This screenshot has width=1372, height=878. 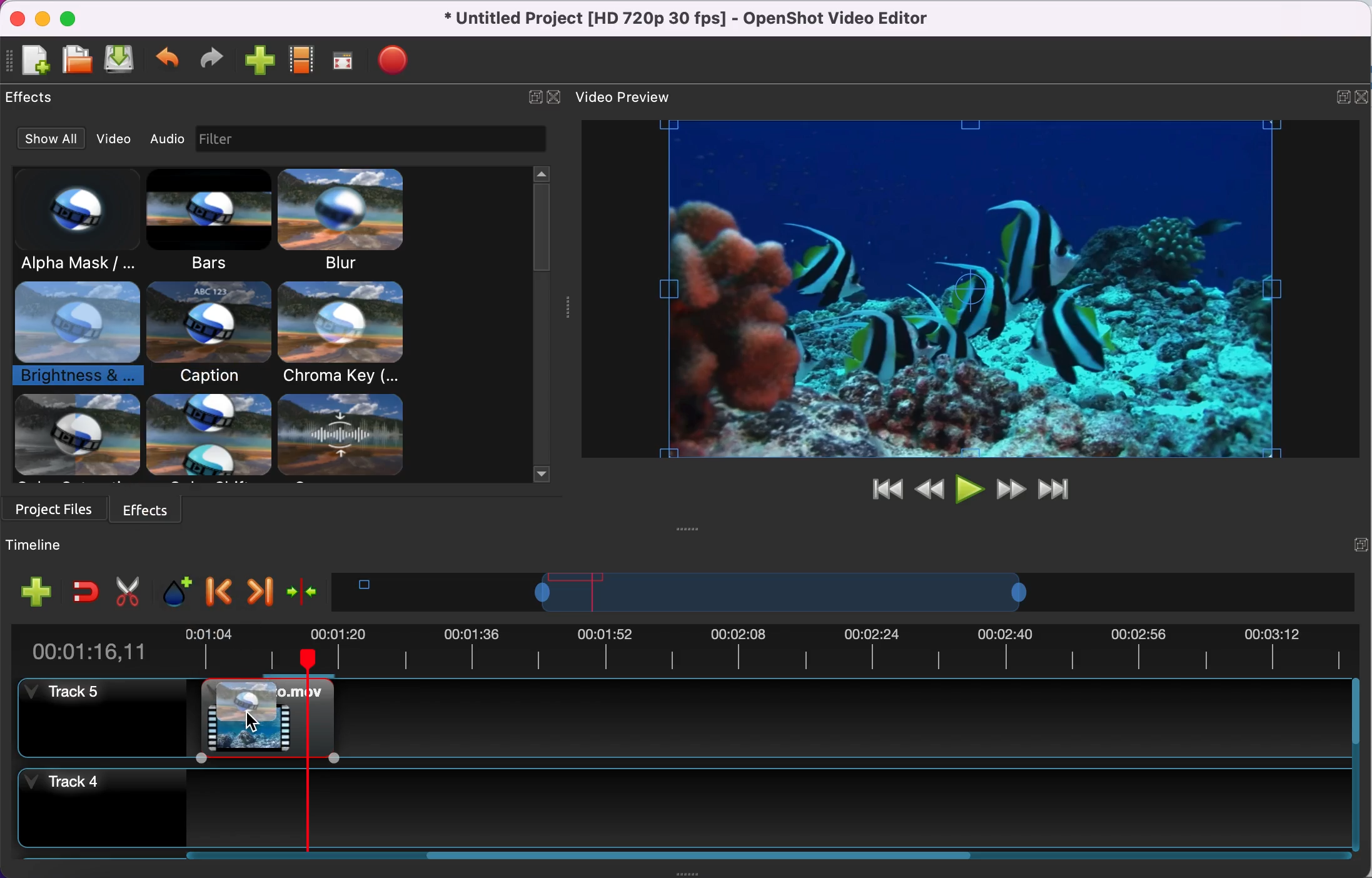 I want to click on duration, so click(x=681, y=648).